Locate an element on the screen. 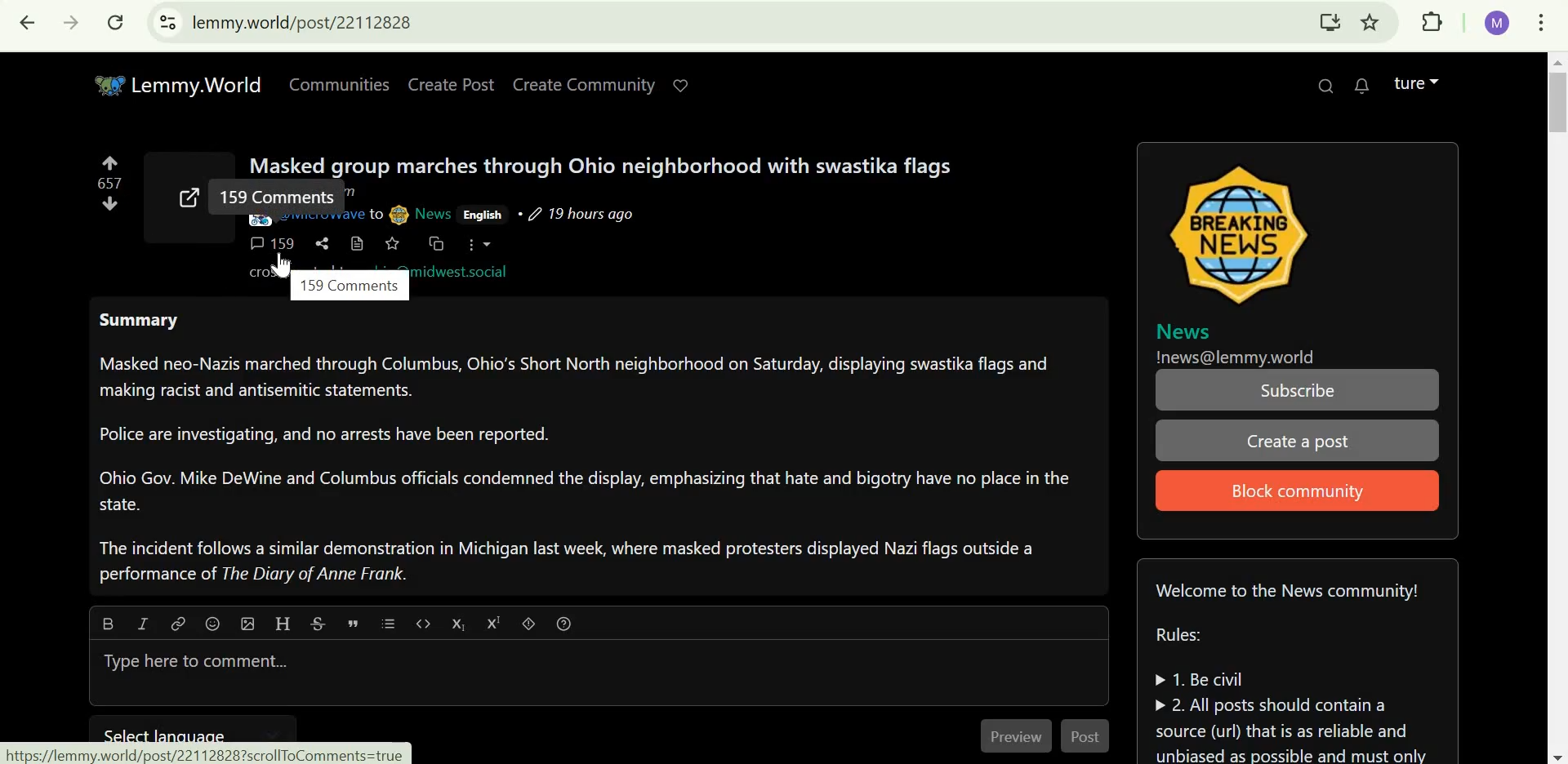 This screenshot has height=764, width=1568. view source is located at coordinates (359, 242).